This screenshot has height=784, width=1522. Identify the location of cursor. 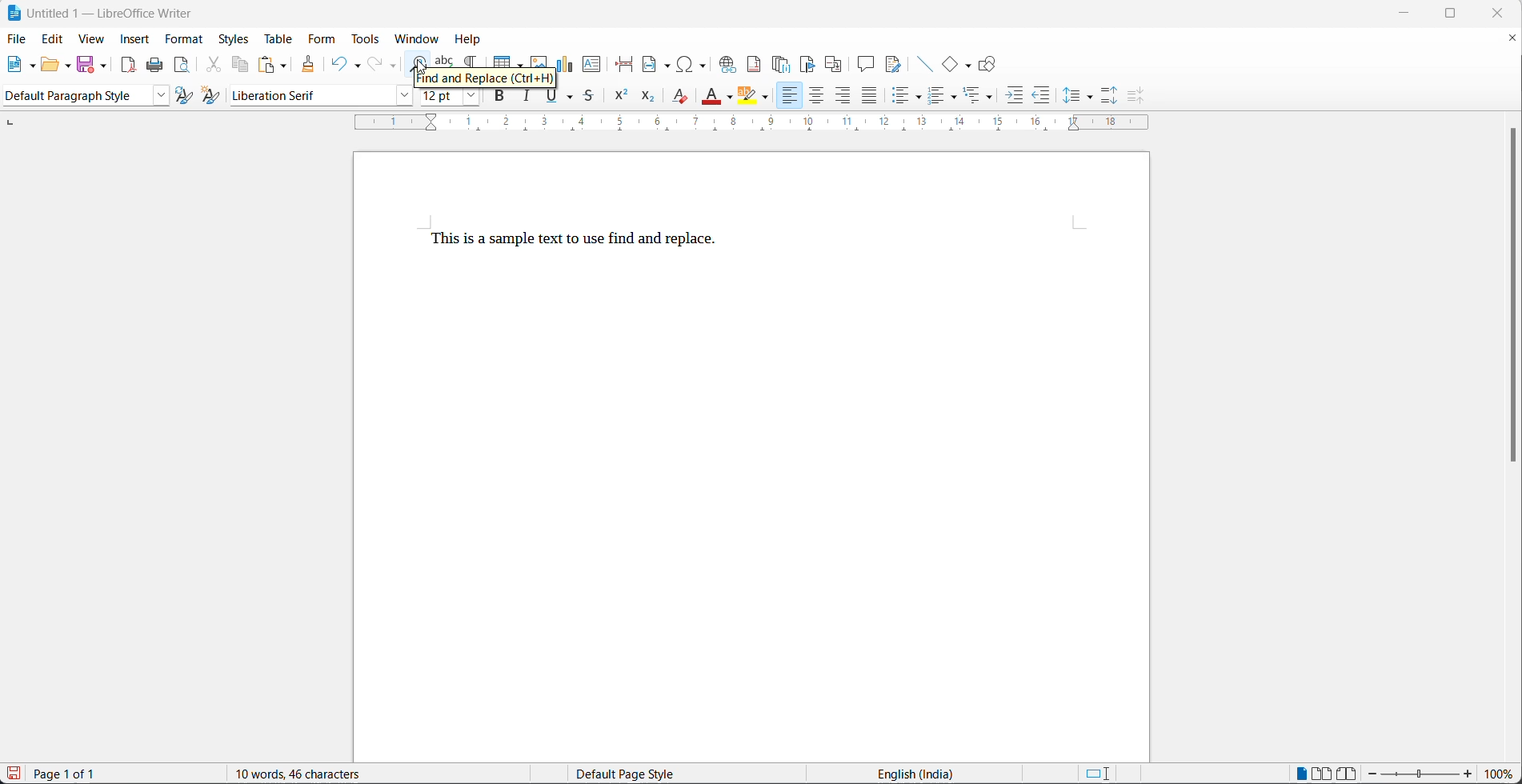
(420, 66).